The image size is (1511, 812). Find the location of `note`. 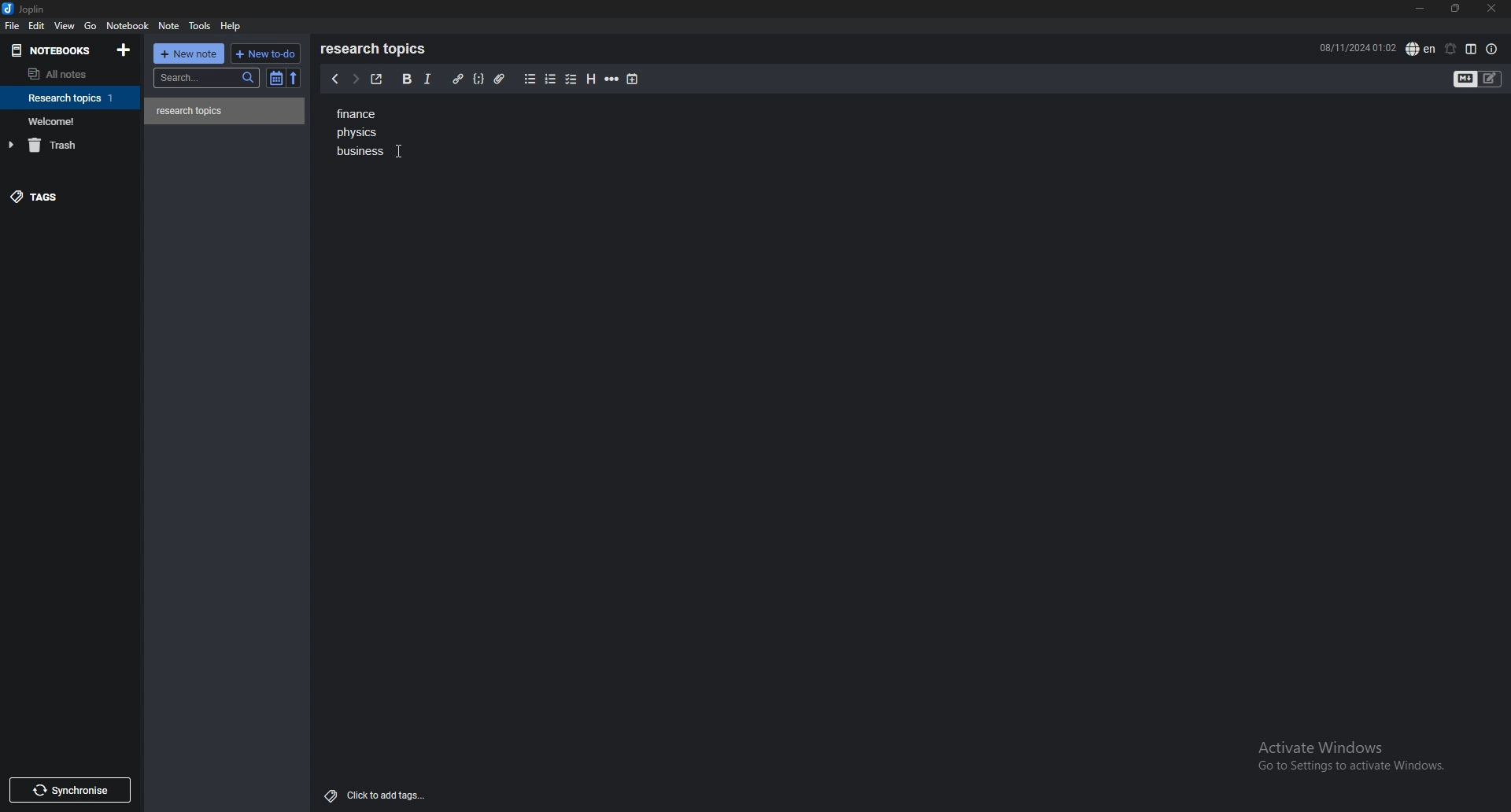

note is located at coordinates (168, 26).